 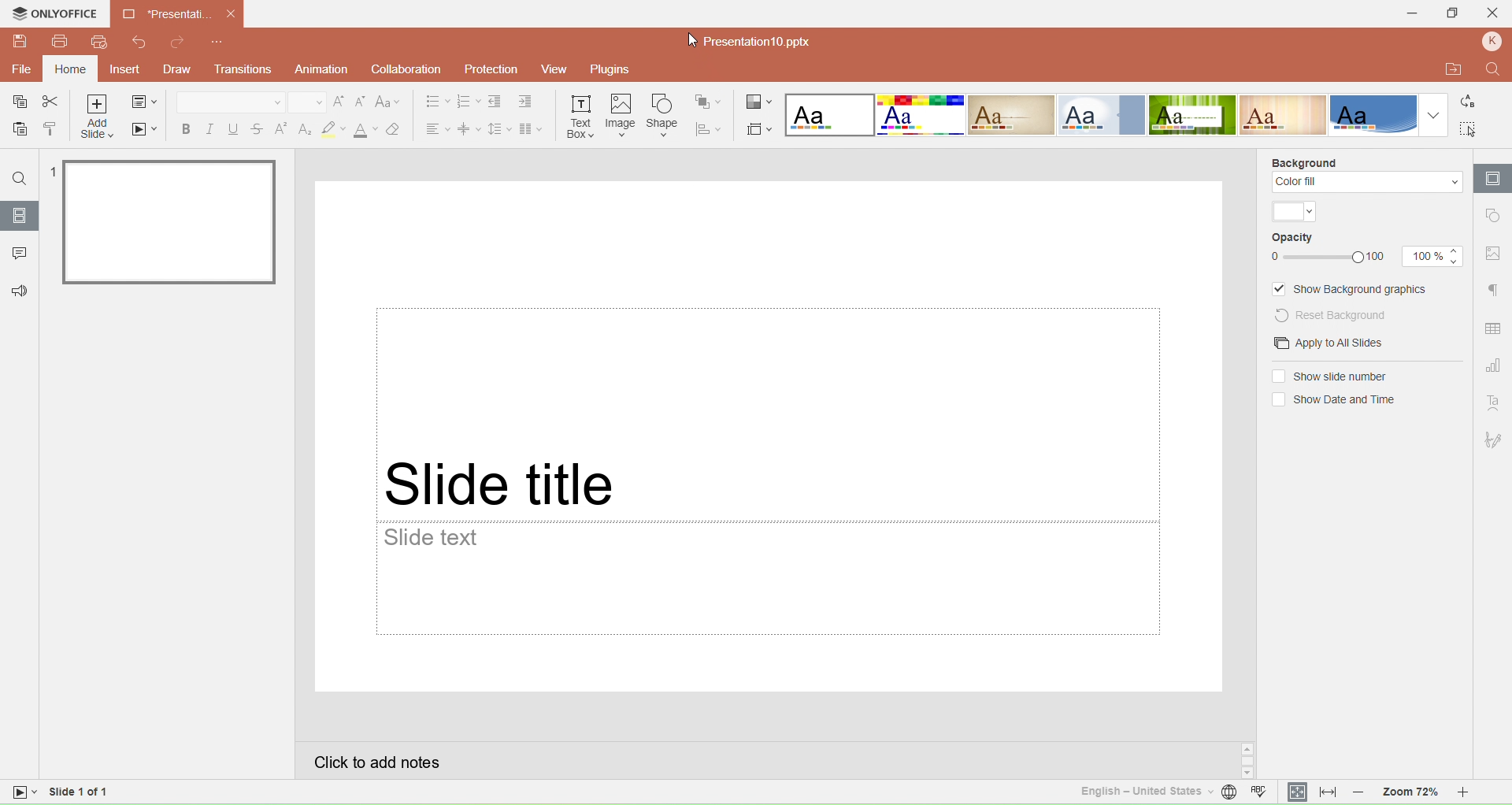 I want to click on (un)select Show slide number, so click(x=1329, y=377).